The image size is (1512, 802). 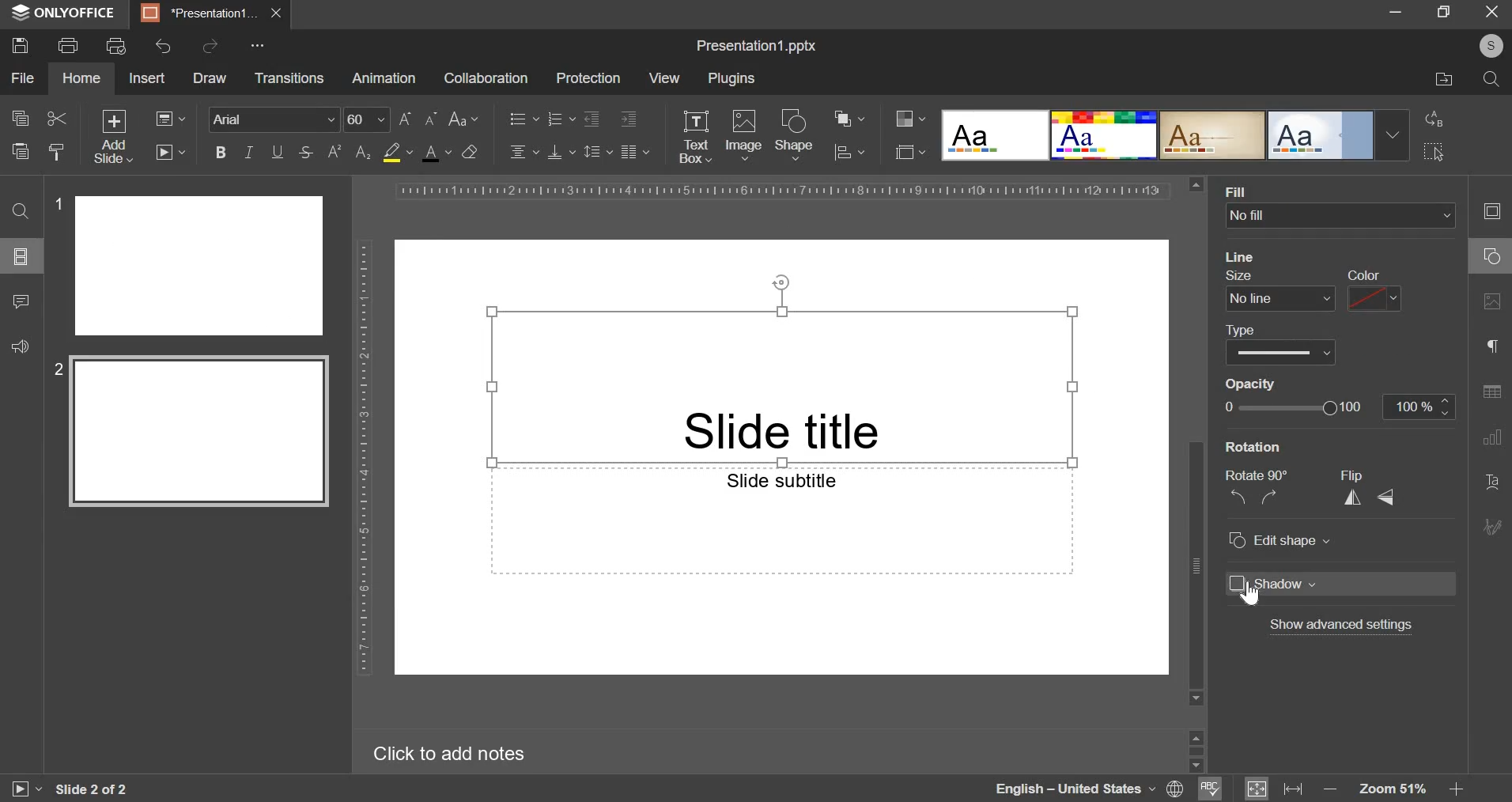 What do you see at coordinates (22, 78) in the screenshot?
I see `file` at bounding box center [22, 78].